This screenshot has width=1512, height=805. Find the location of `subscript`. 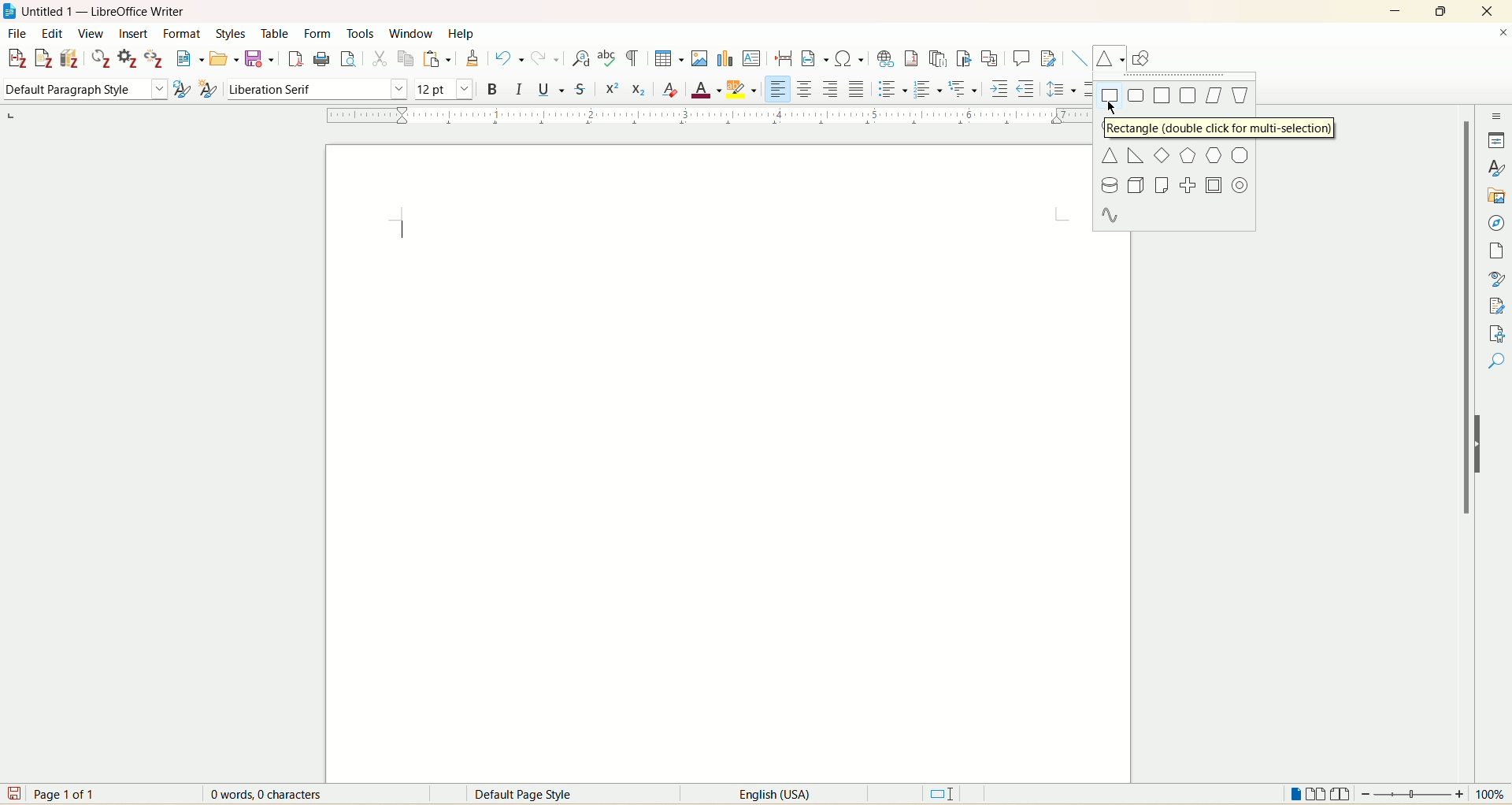

subscript is located at coordinates (639, 89).